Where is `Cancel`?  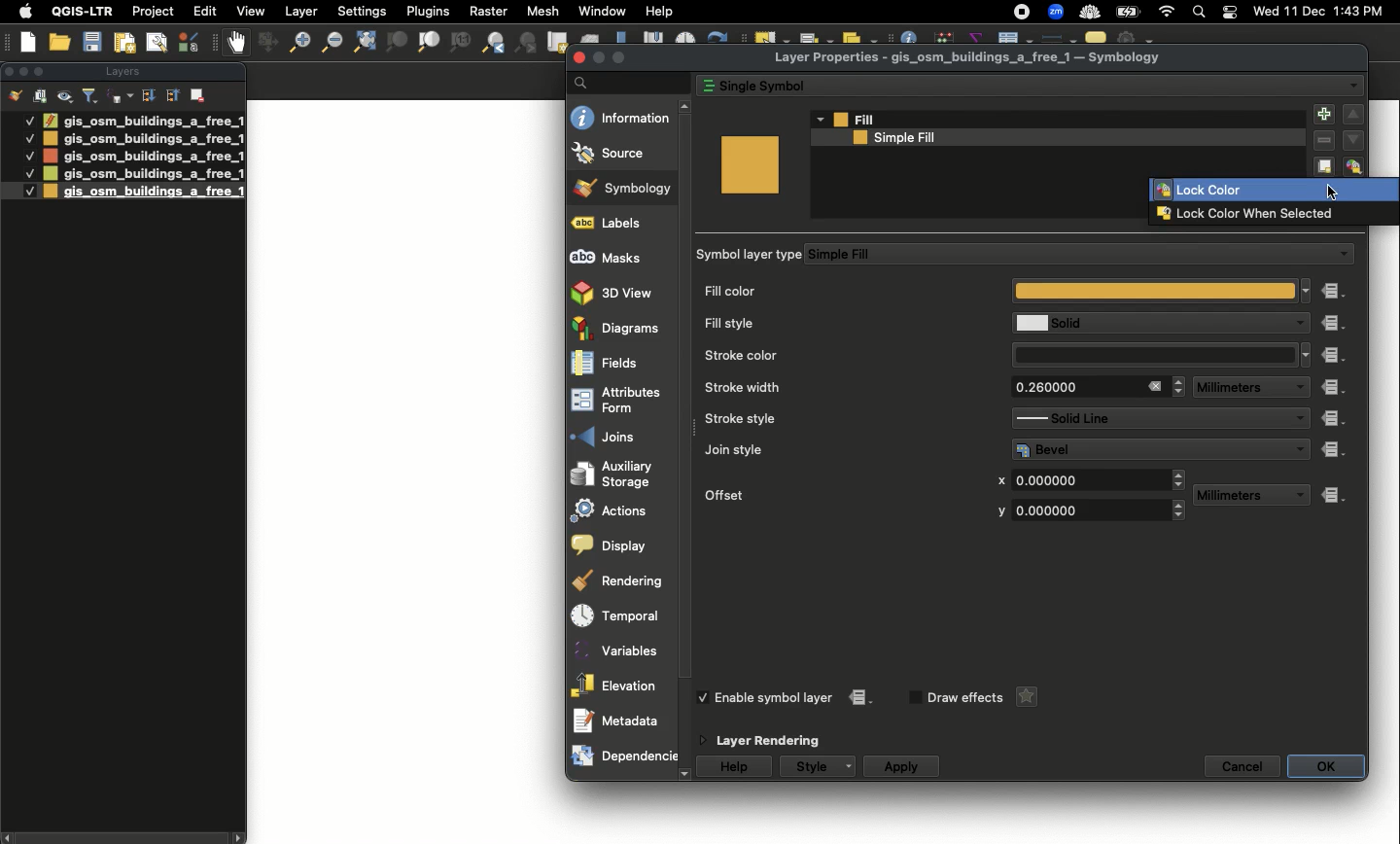 Cancel is located at coordinates (1243, 766).